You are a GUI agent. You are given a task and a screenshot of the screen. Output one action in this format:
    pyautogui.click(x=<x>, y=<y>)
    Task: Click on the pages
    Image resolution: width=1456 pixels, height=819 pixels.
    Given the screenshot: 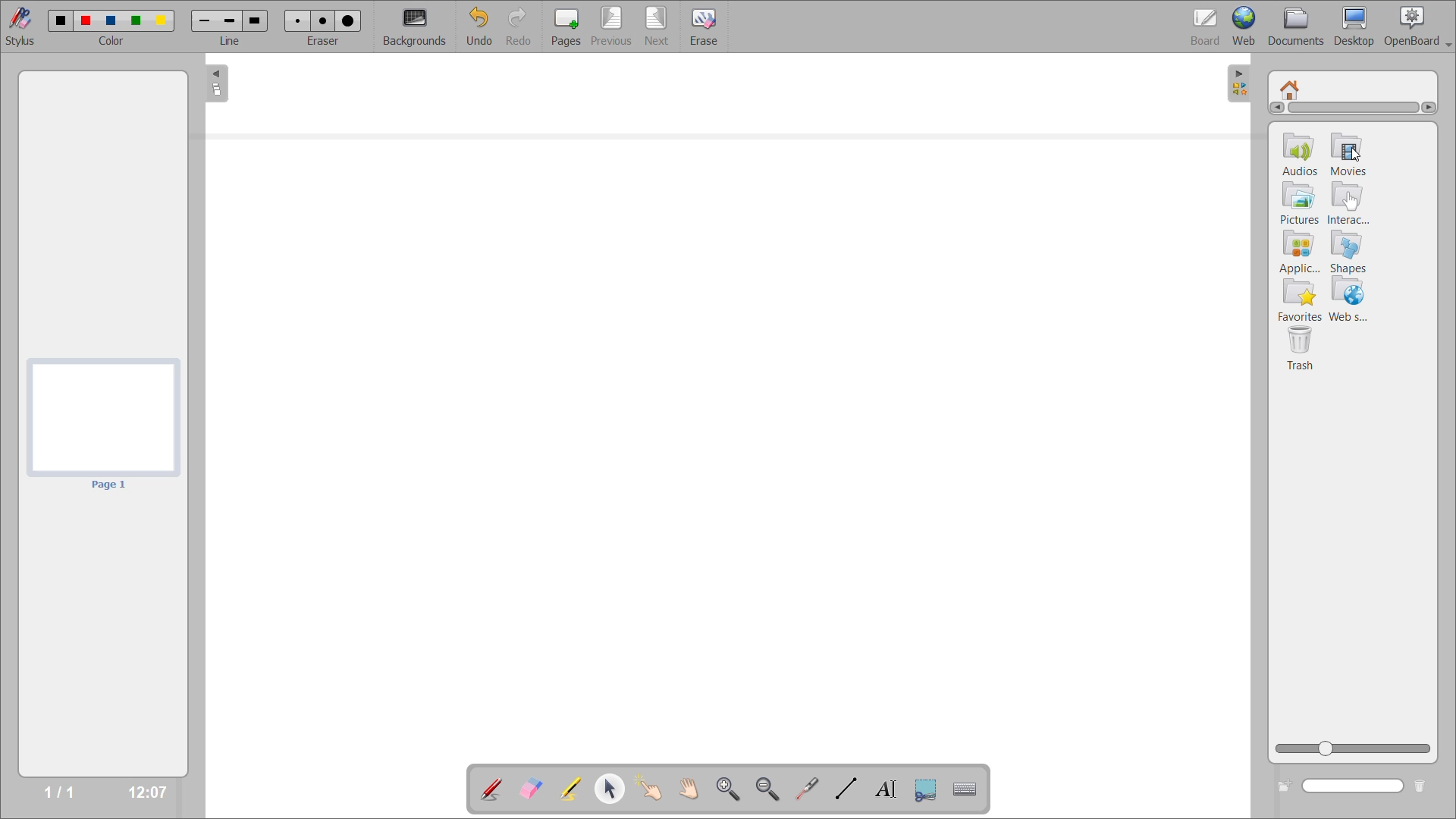 What is the action you would take?
    pyautogui.click(x=562, y=24)
    